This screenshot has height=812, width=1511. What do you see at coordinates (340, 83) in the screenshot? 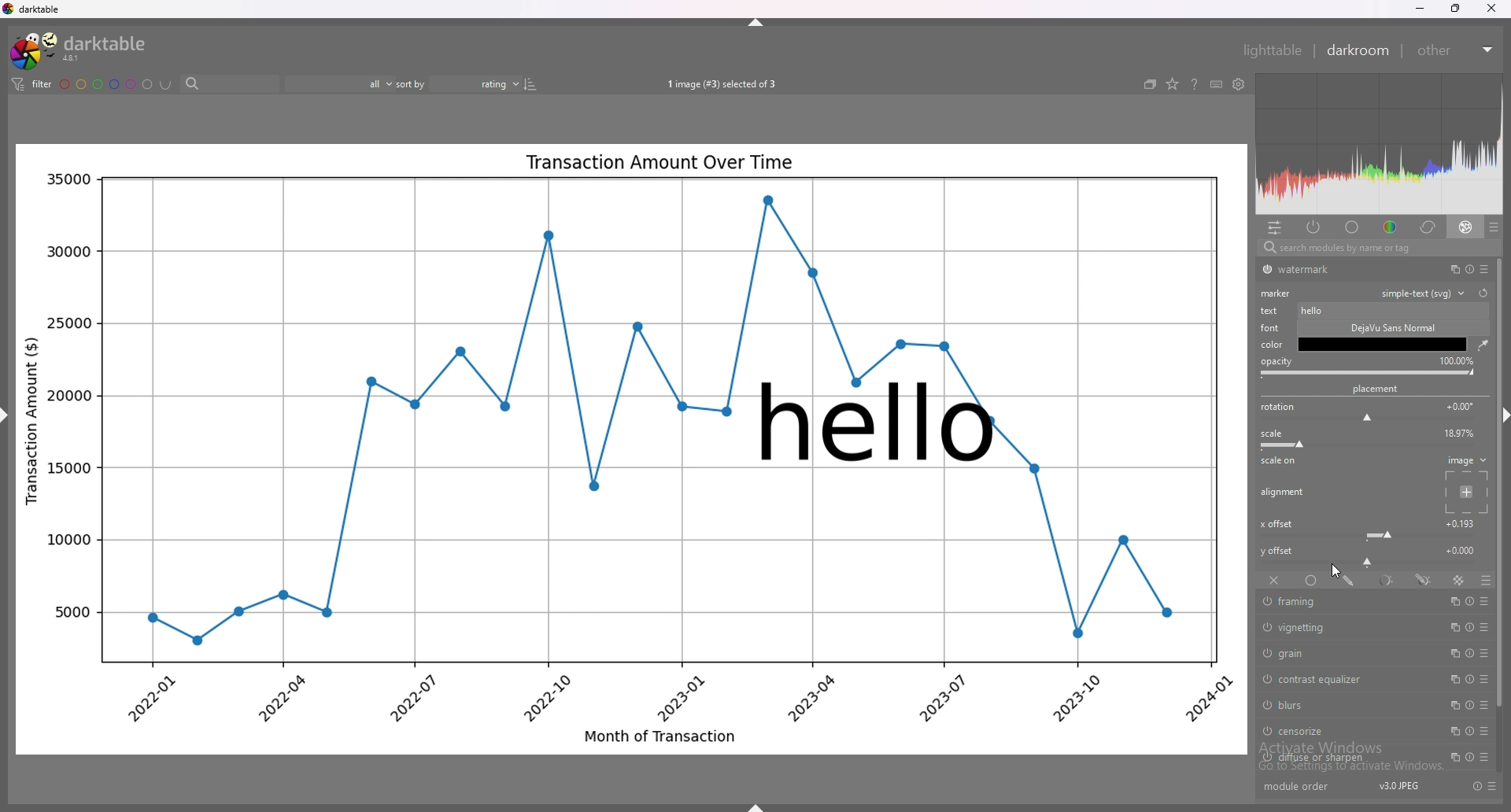
I see `filter by rating` at bounding box center [340, 83].